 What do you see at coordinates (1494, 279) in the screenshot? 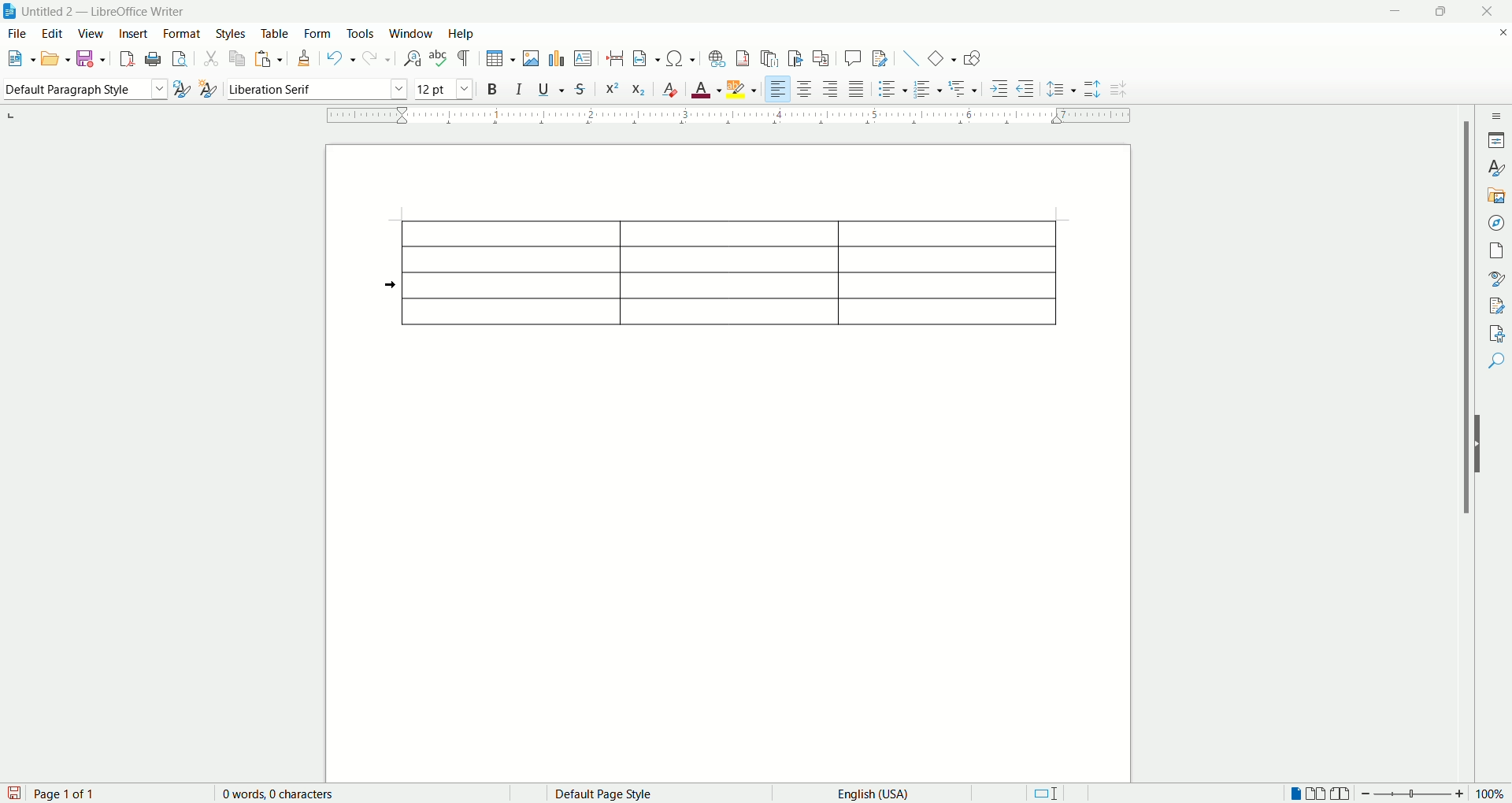
I see `style police` at bounding box center [1494, 279].